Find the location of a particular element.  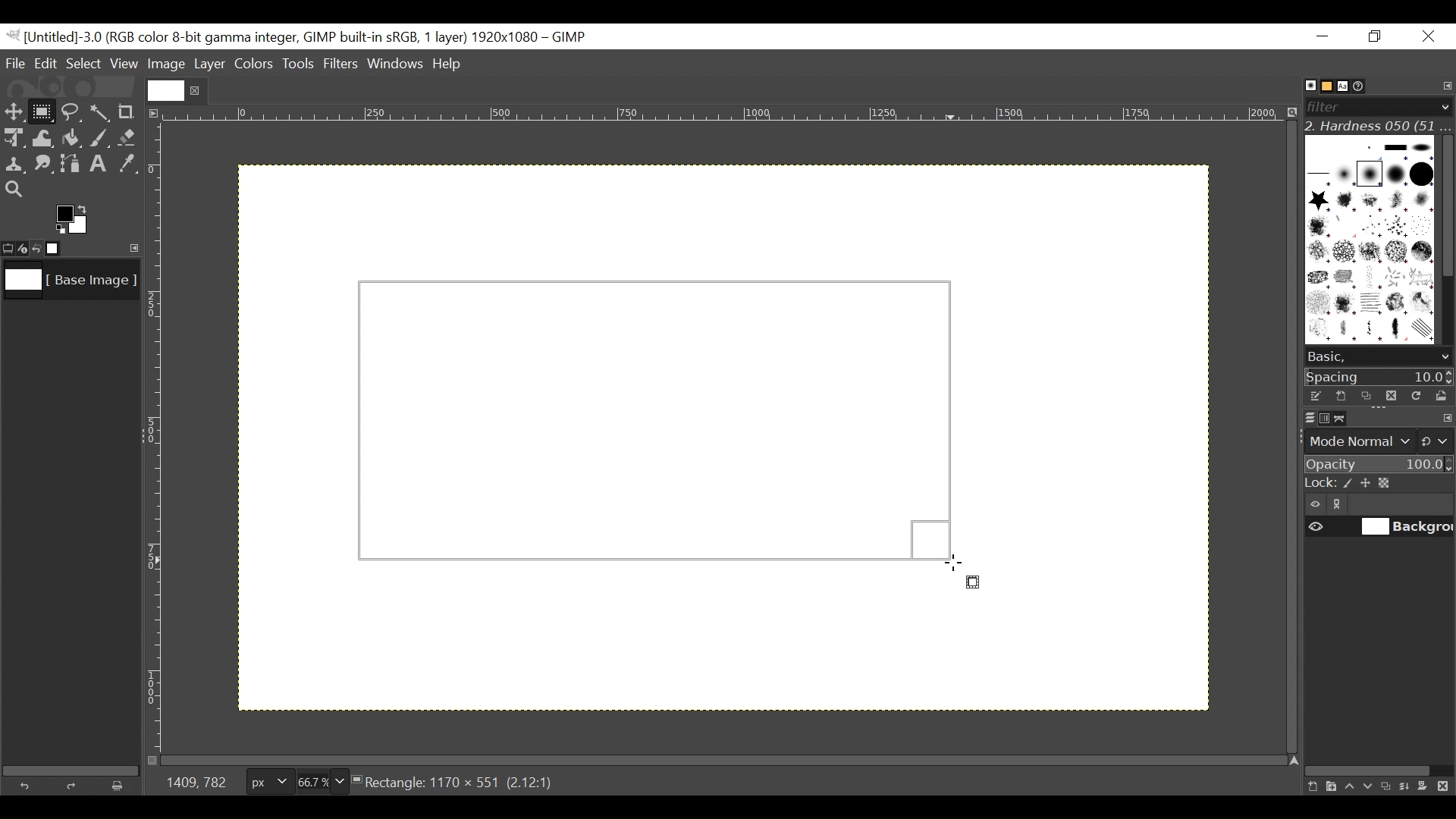

Layer is located at coordinates (209, 63).